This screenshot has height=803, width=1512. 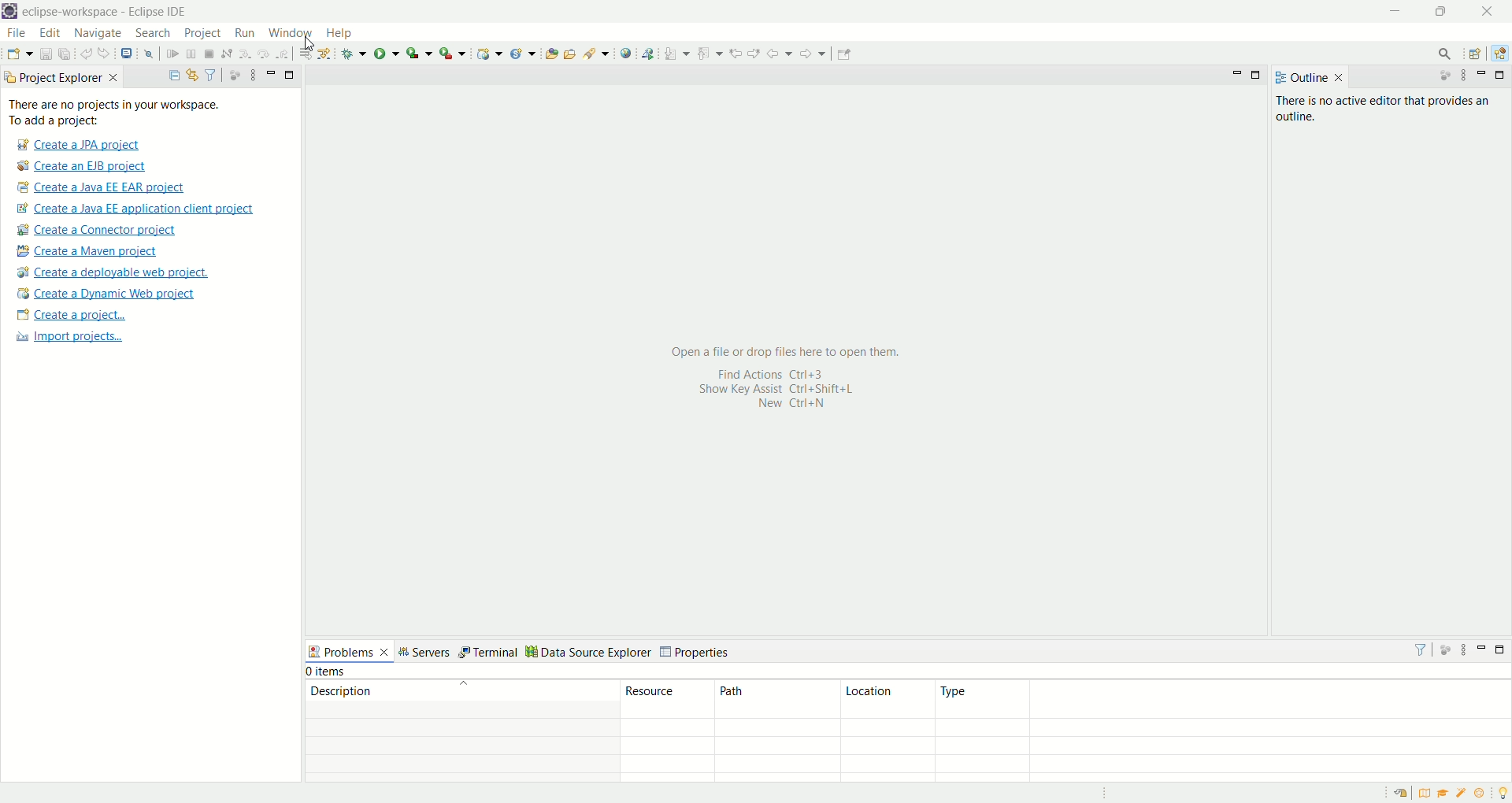 What do you see at coordinates (982, 700) in the screenshot?
I see `type` at bounding box center [982, 700].